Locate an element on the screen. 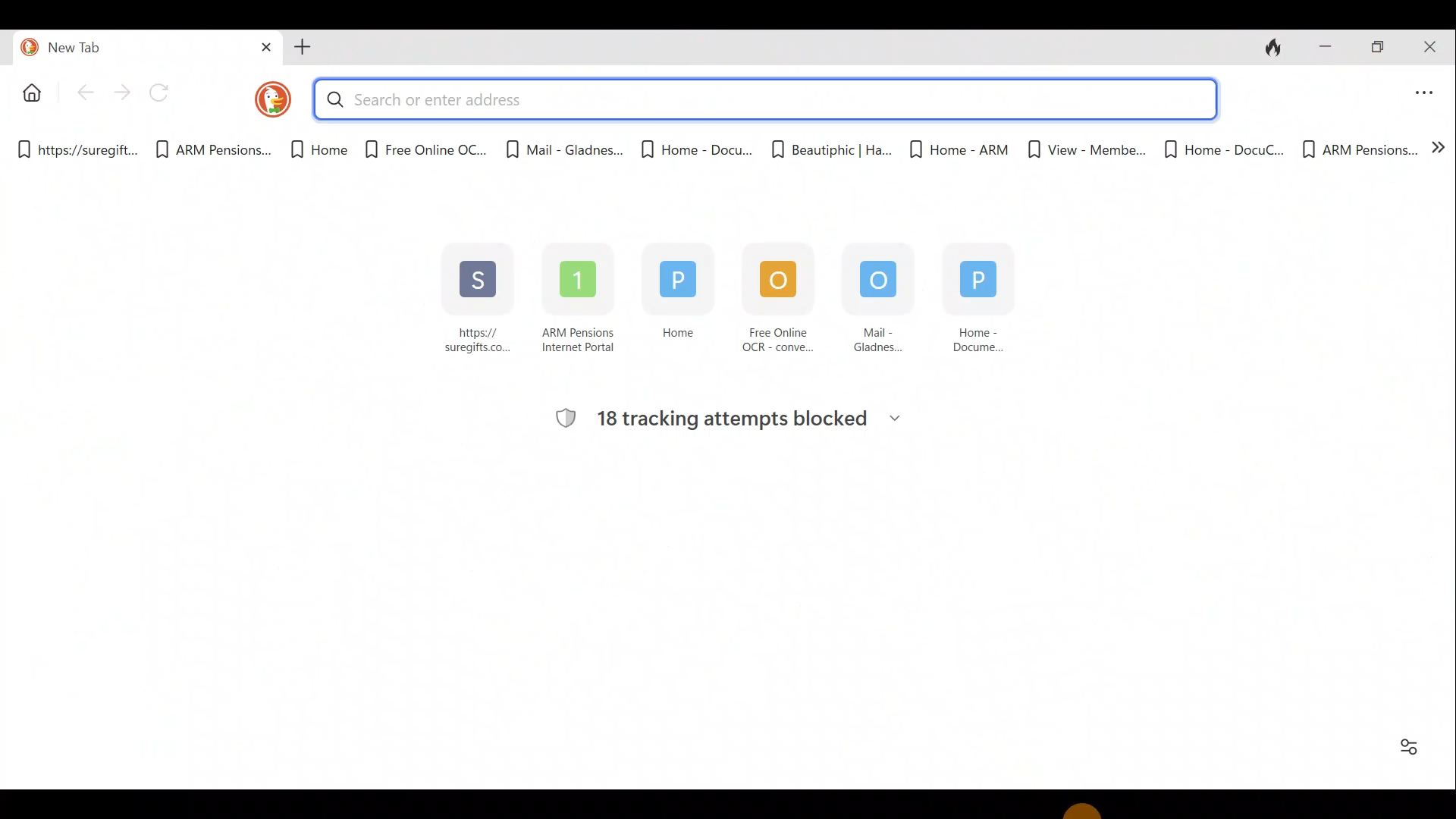 The image size is (1456, 819). Close is located at coordinates (1433, 45).